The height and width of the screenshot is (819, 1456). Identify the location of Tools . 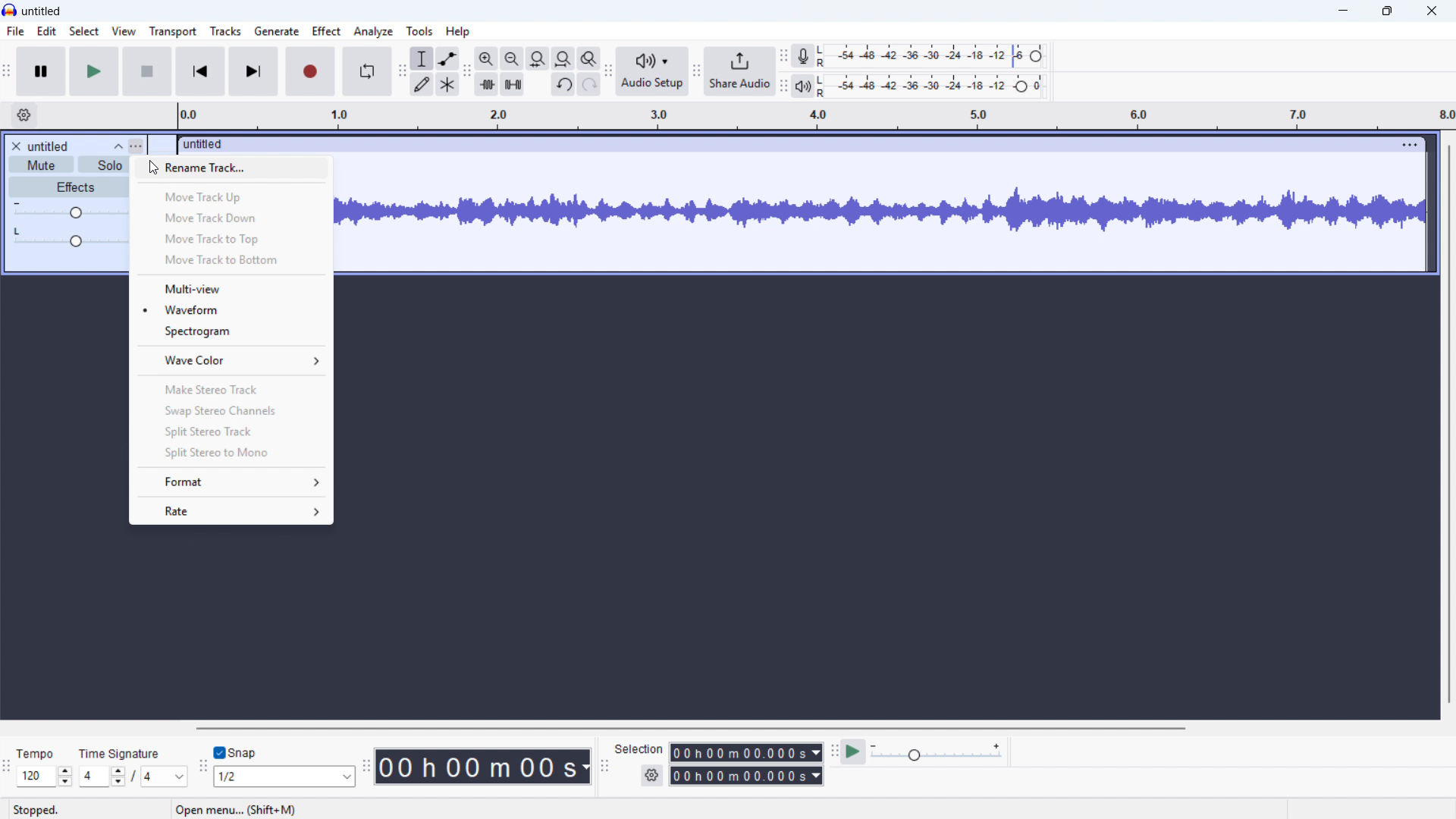
(420, 30).